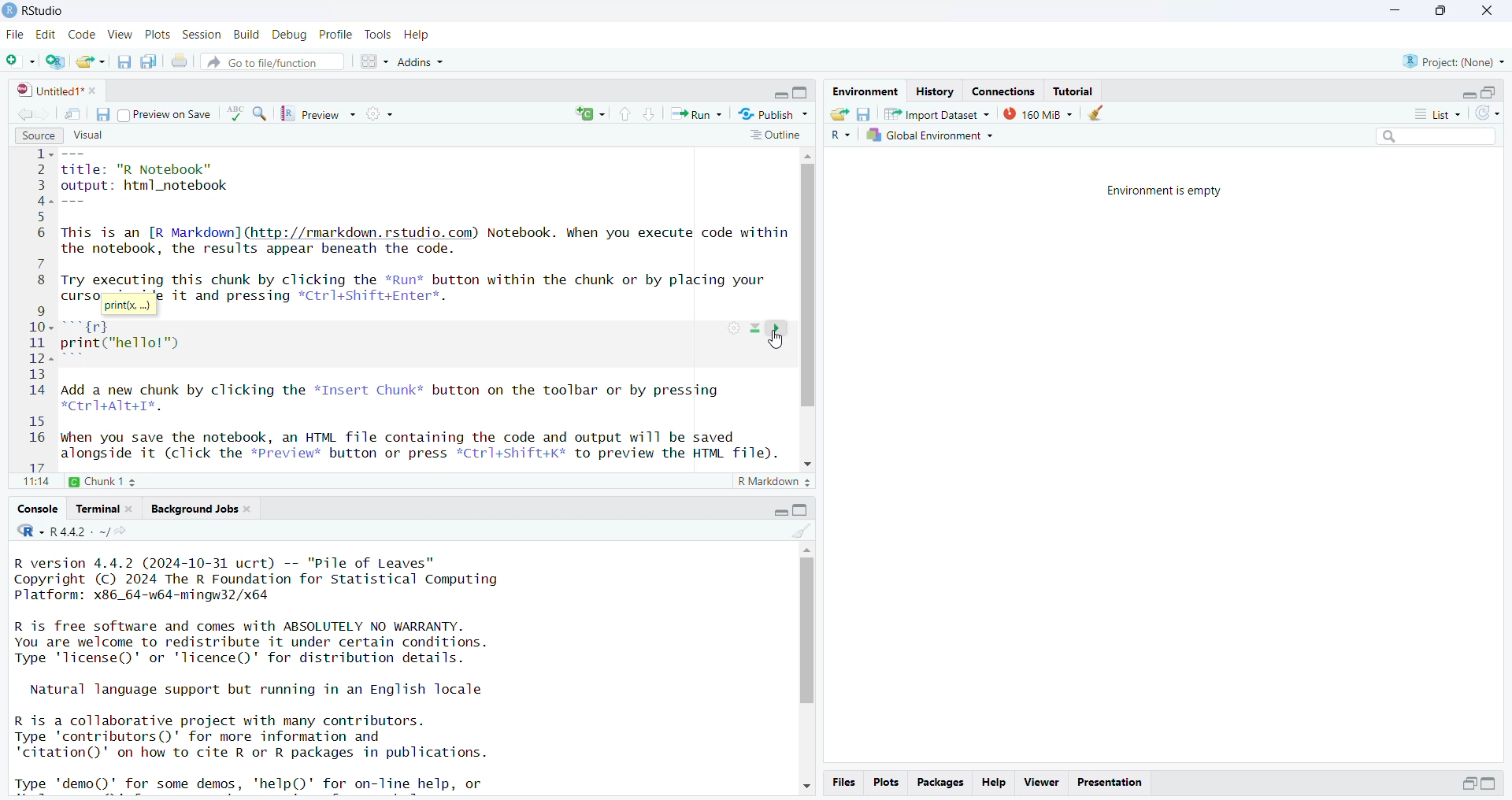 The width and height of the screenshot is (1512, 800). Describe the element at coordinates (103, 113) in the screenshot. I see `save current document` at that location.